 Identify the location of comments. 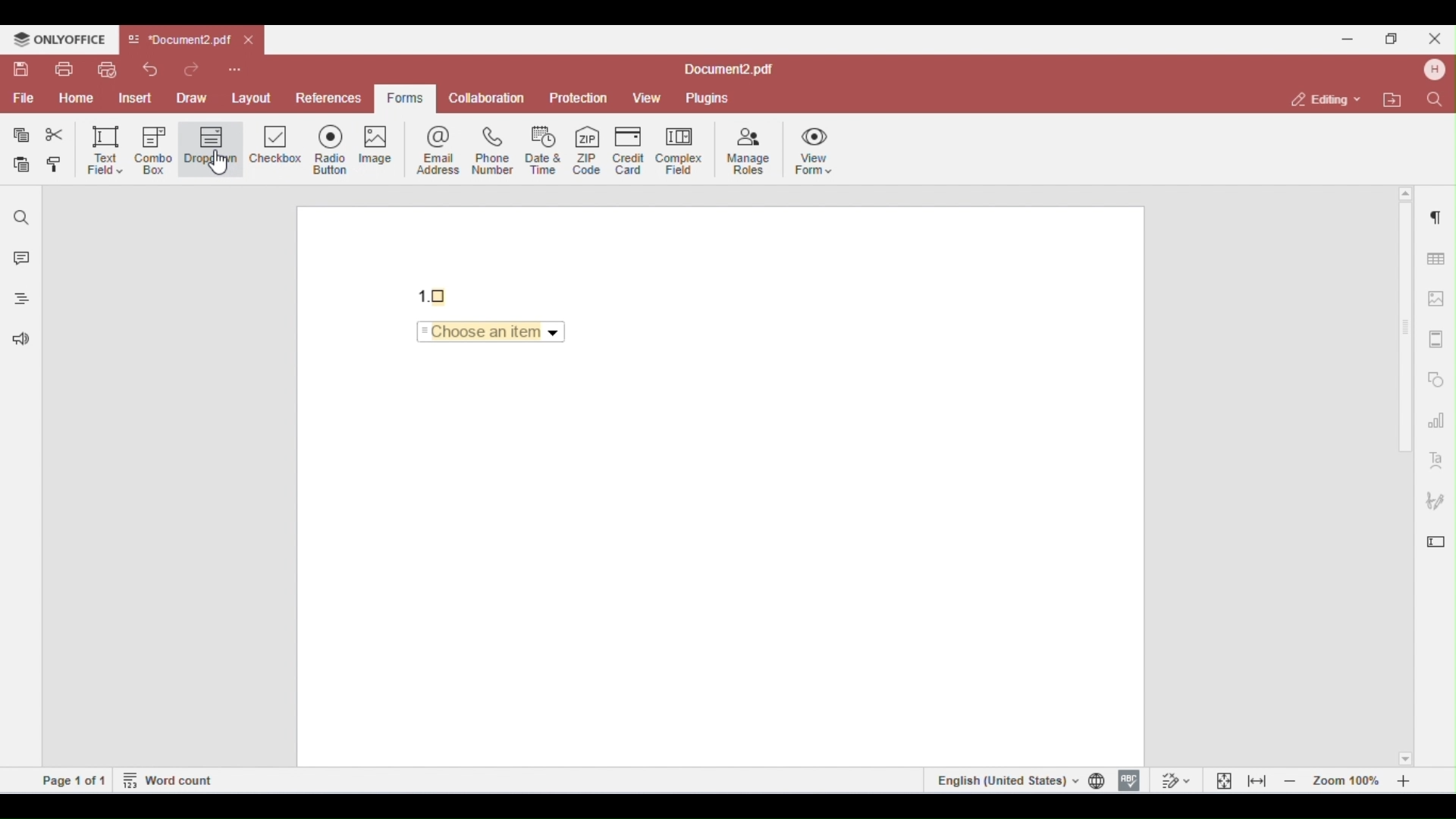
(18, 260).